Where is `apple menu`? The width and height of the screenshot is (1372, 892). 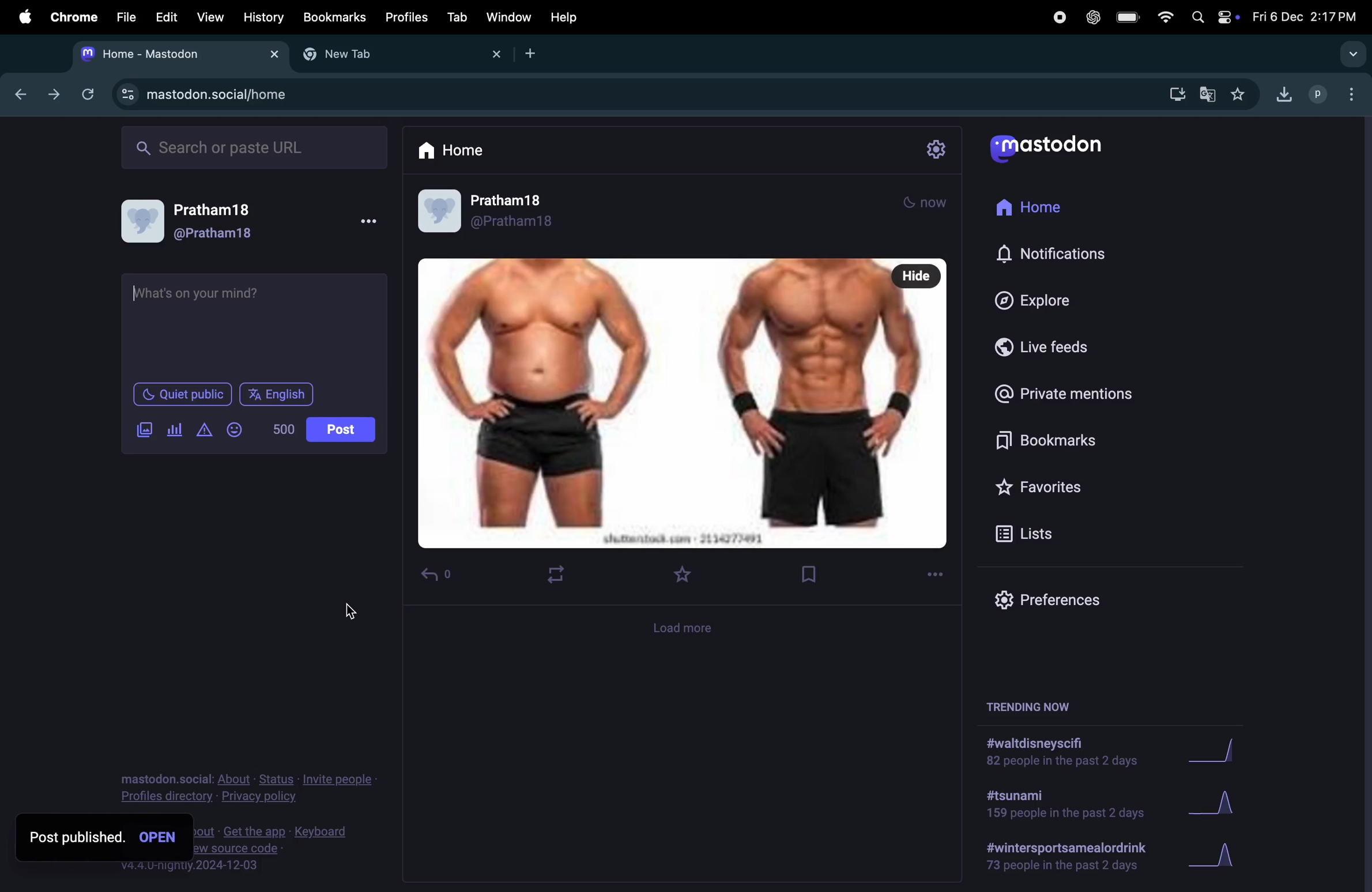 apple menu is located at coordinates (24, 17).